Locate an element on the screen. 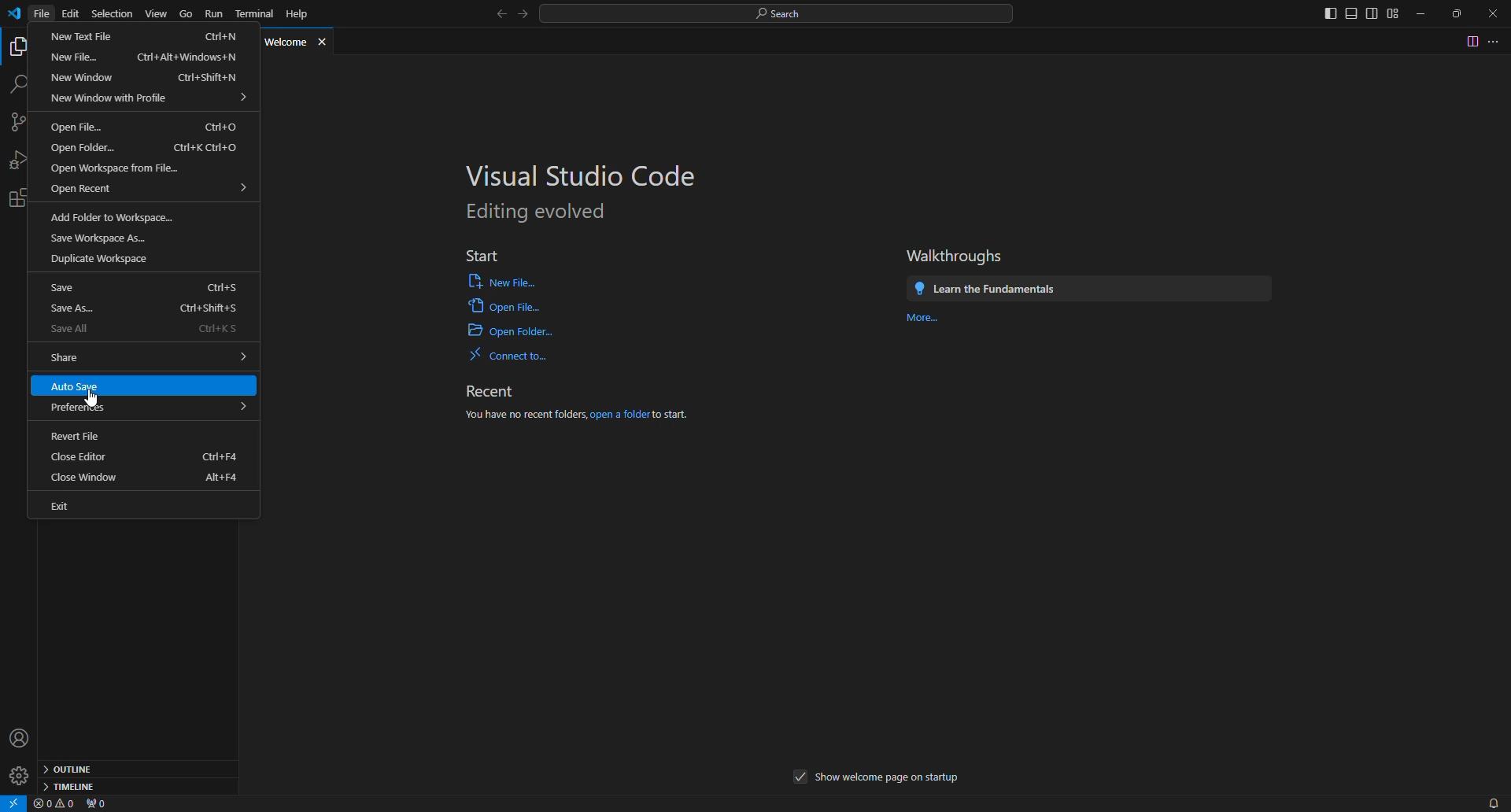 The height and width of the screenshot is (812, 1511). new text file is located at coordinates (83, 37).